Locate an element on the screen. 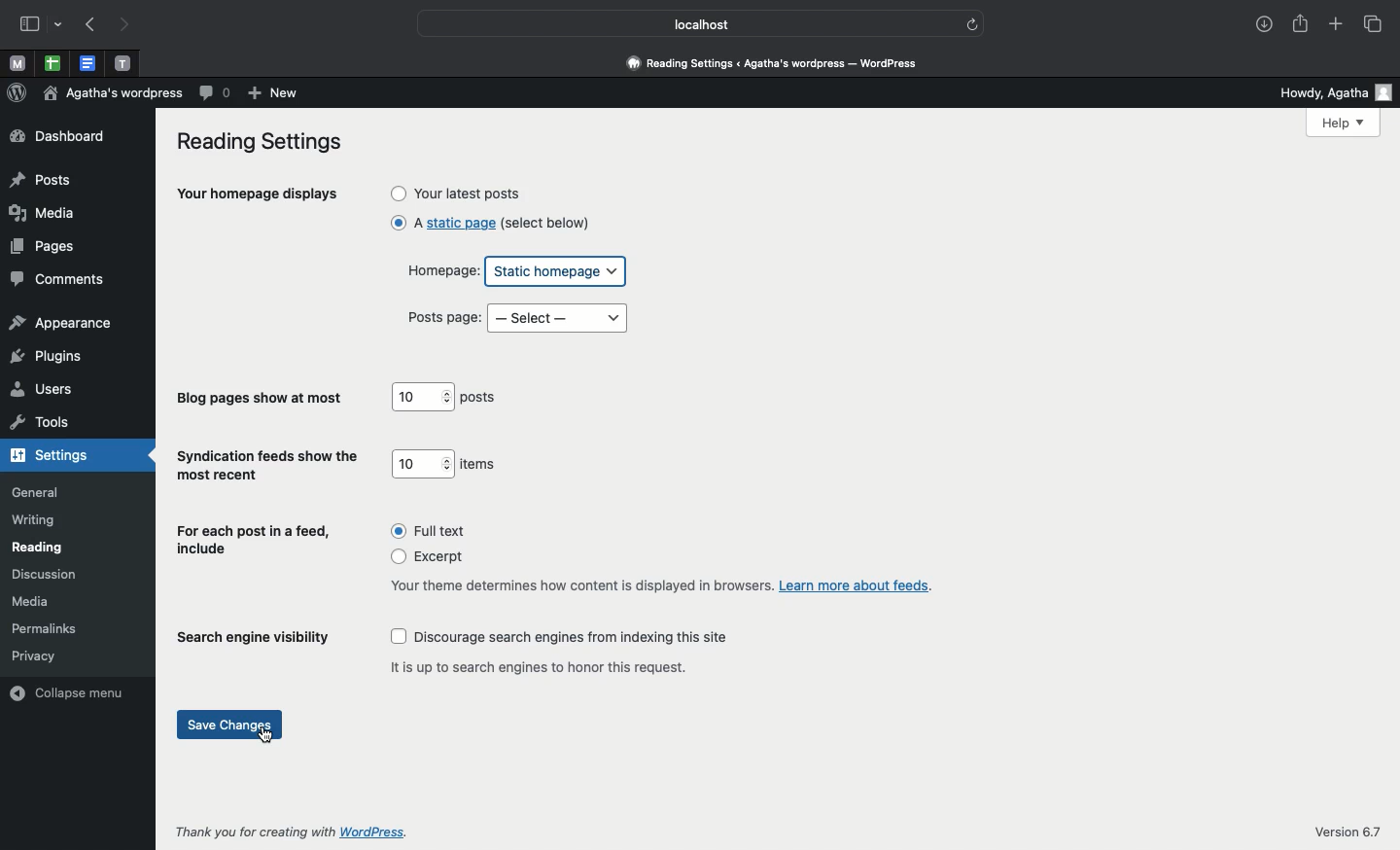 The height and width of the screenshot is (850, 1400). privacy is located at coordinates (34, 655).